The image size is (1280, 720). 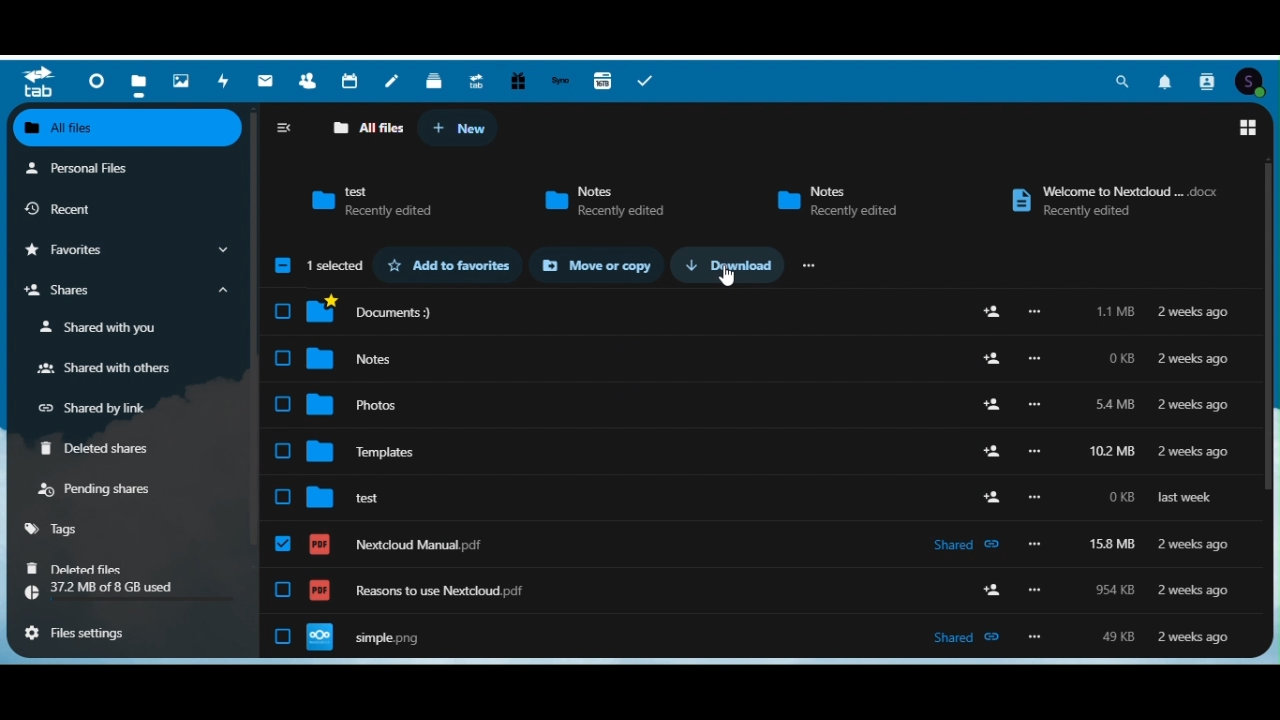 What do you see at coordinates (1248, 130) in the screenshot?
I see `Gridview` at bounding box center [1248, 130].